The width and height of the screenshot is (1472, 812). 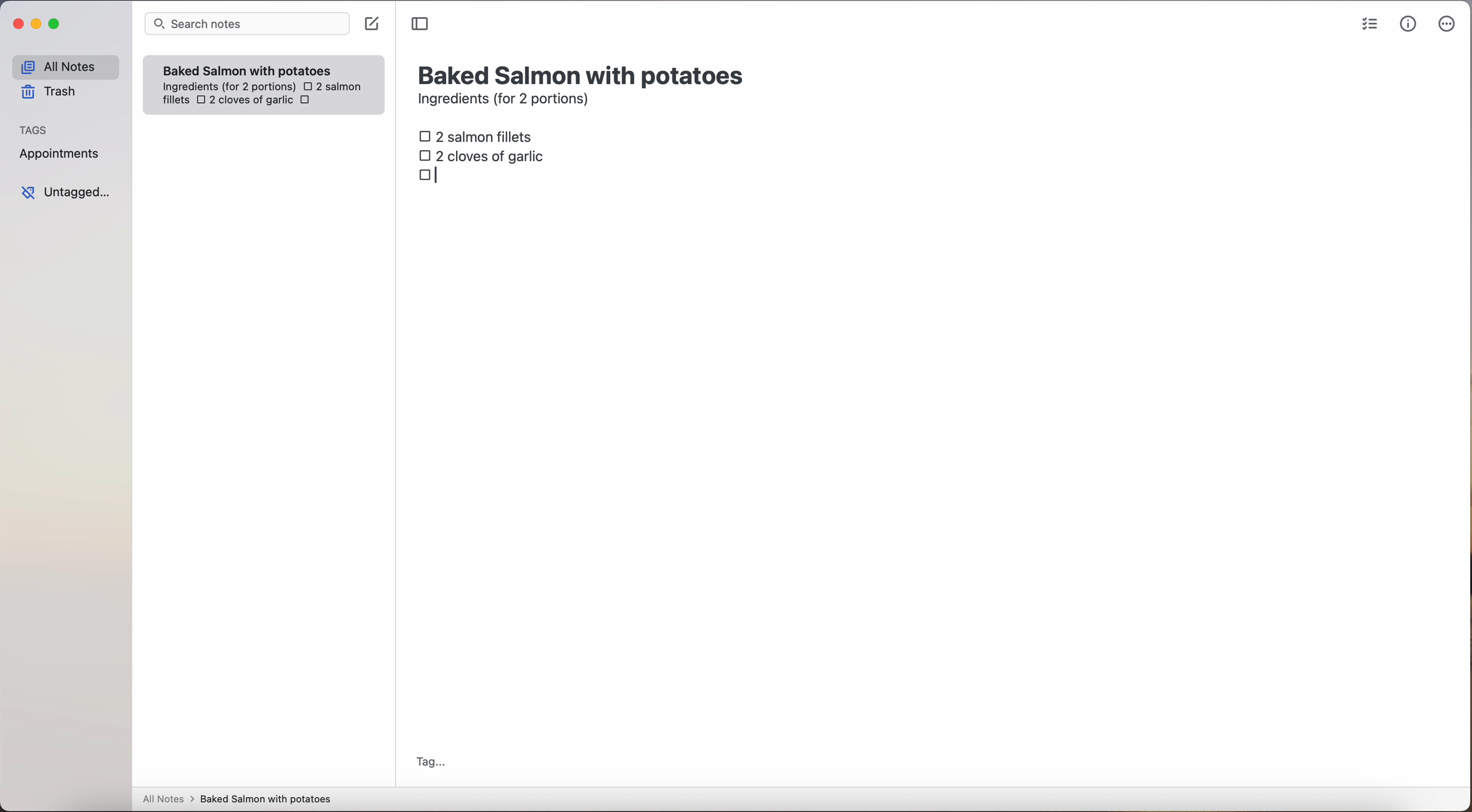 I want to click on 2 cloves of garlic, so click(x=485, y=154).